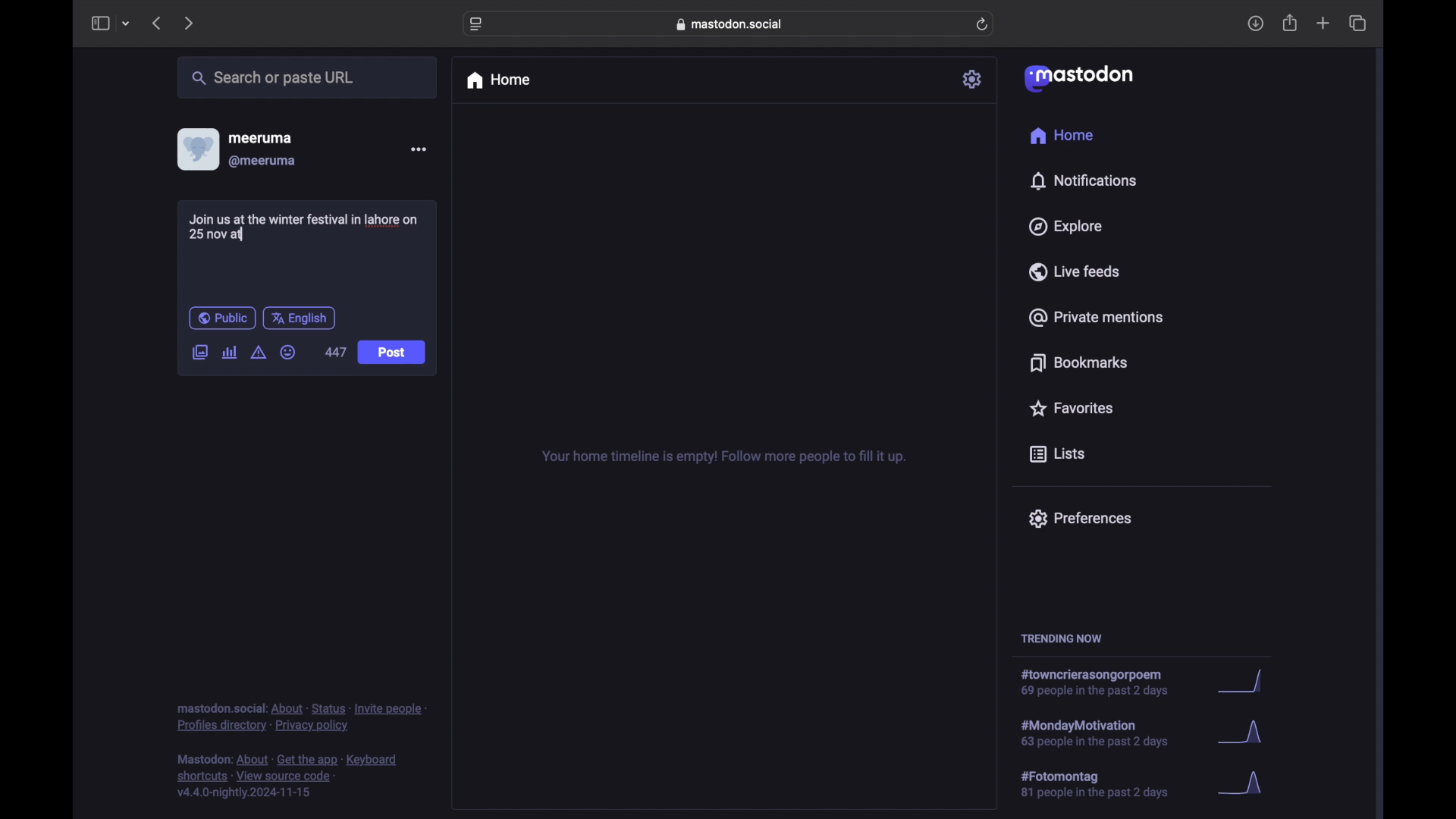  What do you see at coordinates (1105, 732) in the screenshot?
I see `hashtag trend` at bounding box center [1105, 732].